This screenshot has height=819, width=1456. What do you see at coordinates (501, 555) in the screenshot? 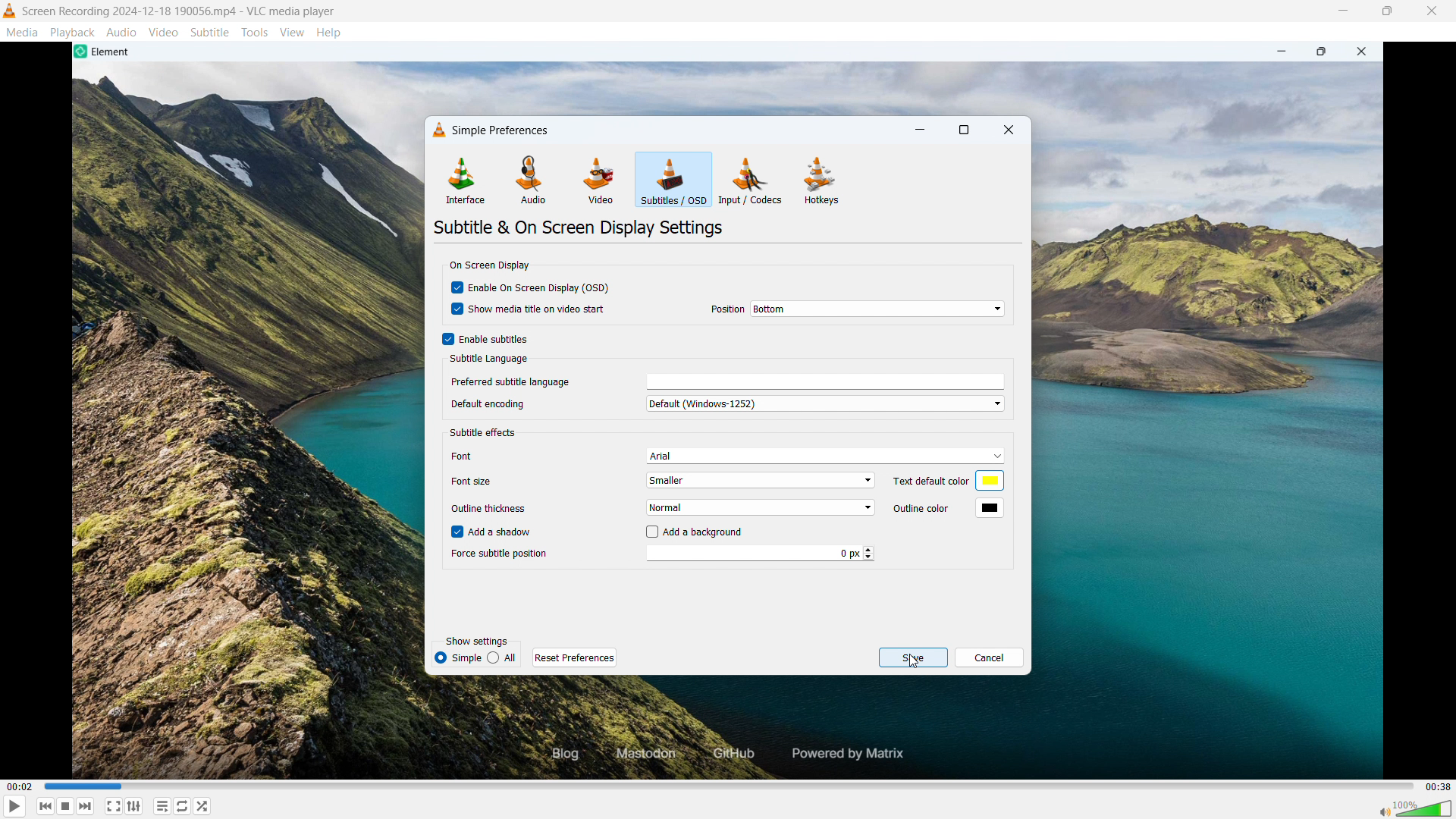
I see `Force subtitle position` at bounding box center [501, 555].